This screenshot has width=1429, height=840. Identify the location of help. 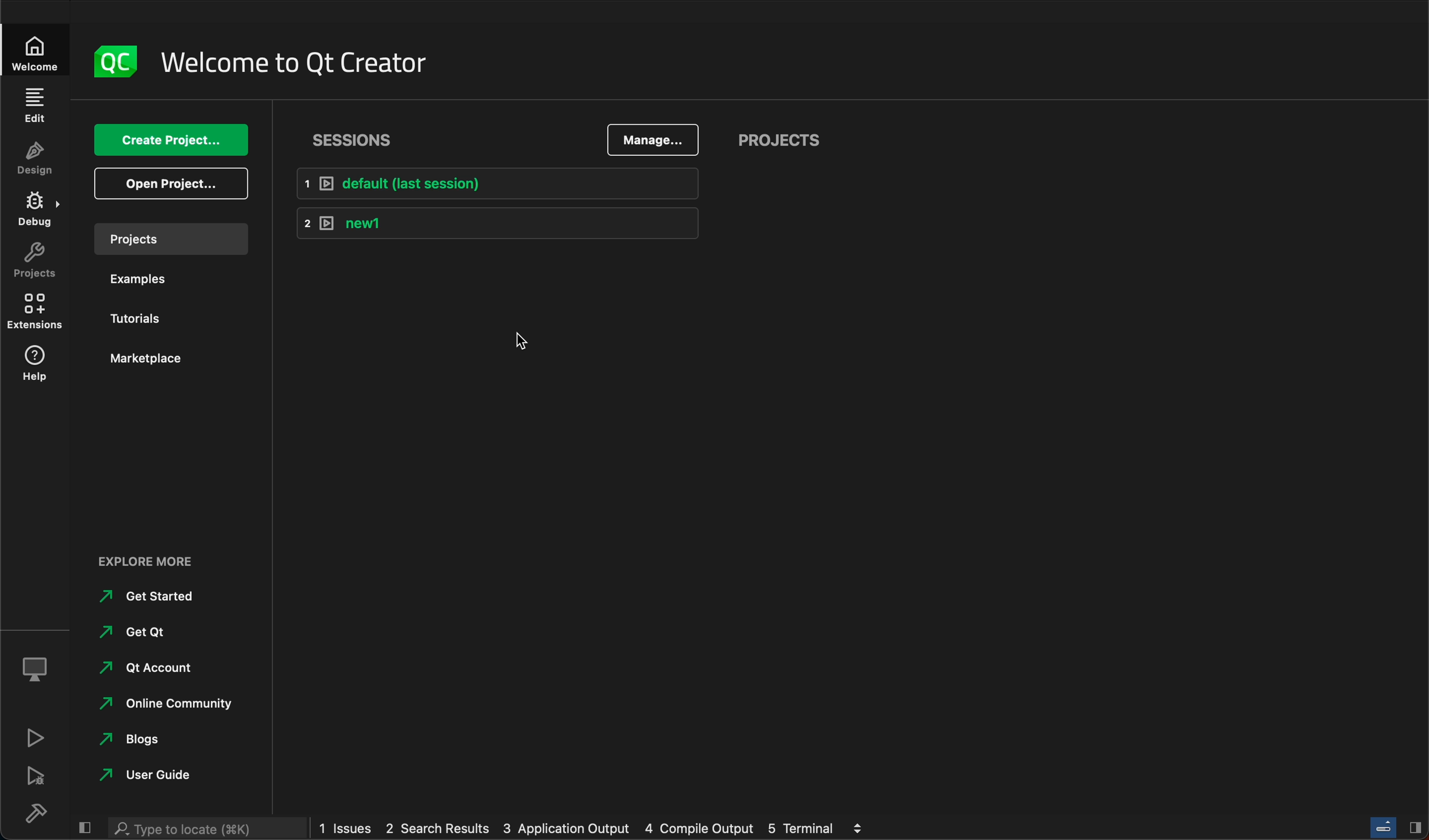
(37, 368).